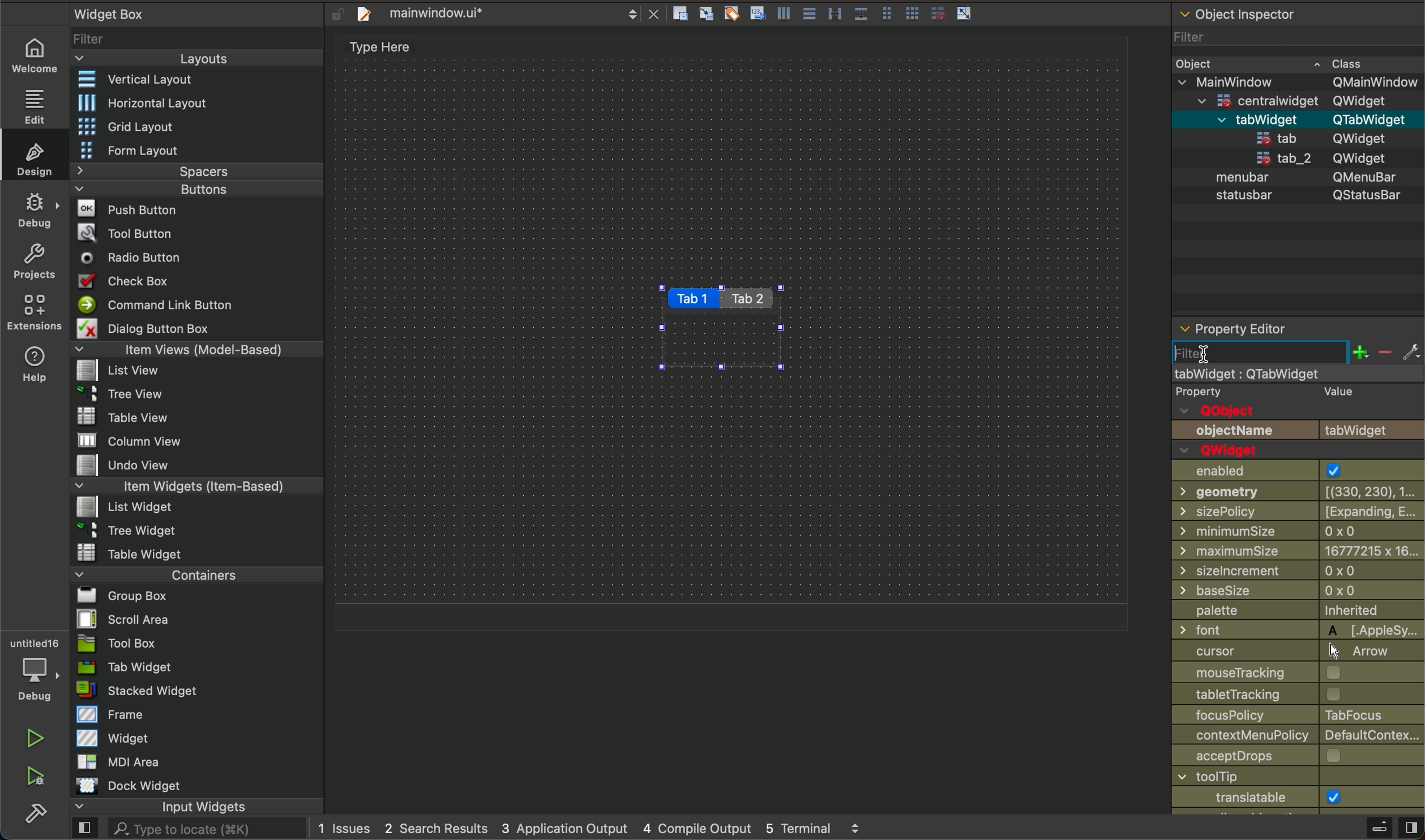 The height and width of the screenshot is (840, 1425). I want to click on close sidebar, so click(1389, 828).